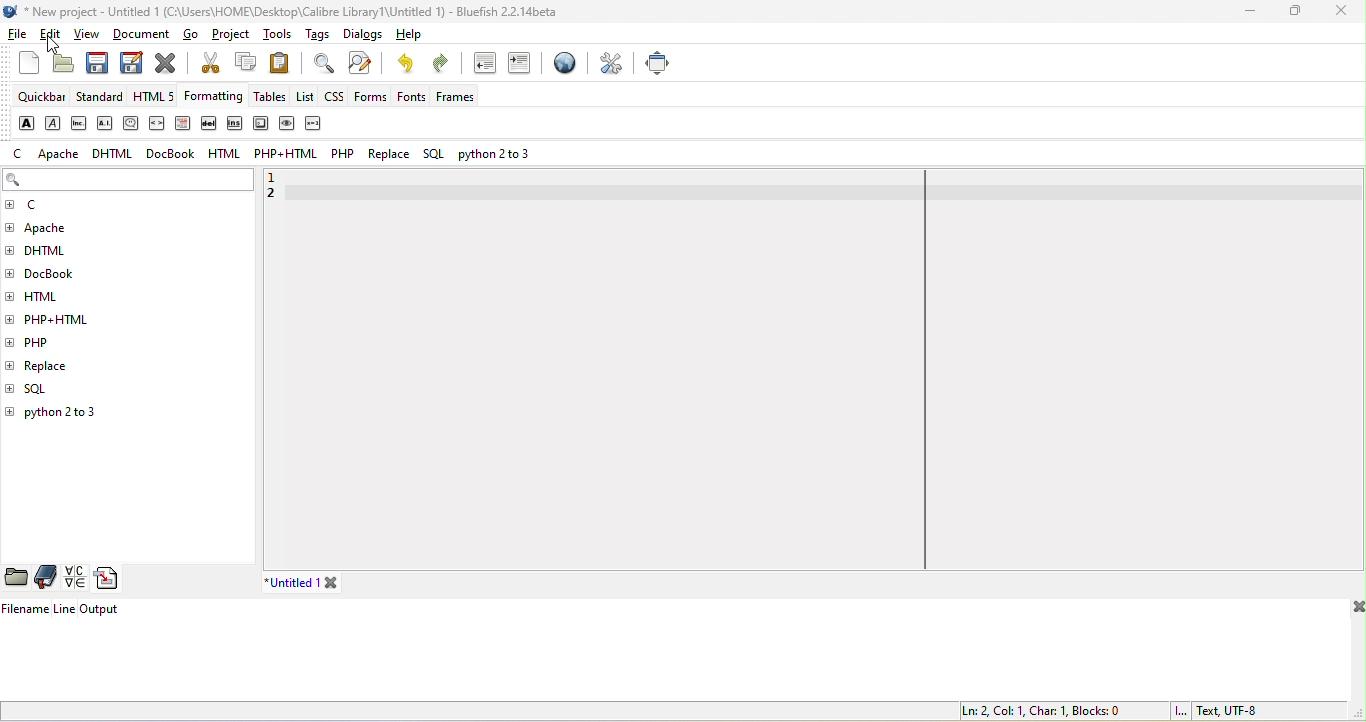 The image size is (1366, 722). What do you see at coordinates (287, 156) in the screenshot?
I see `php+html` at bounding box center [287, 156].